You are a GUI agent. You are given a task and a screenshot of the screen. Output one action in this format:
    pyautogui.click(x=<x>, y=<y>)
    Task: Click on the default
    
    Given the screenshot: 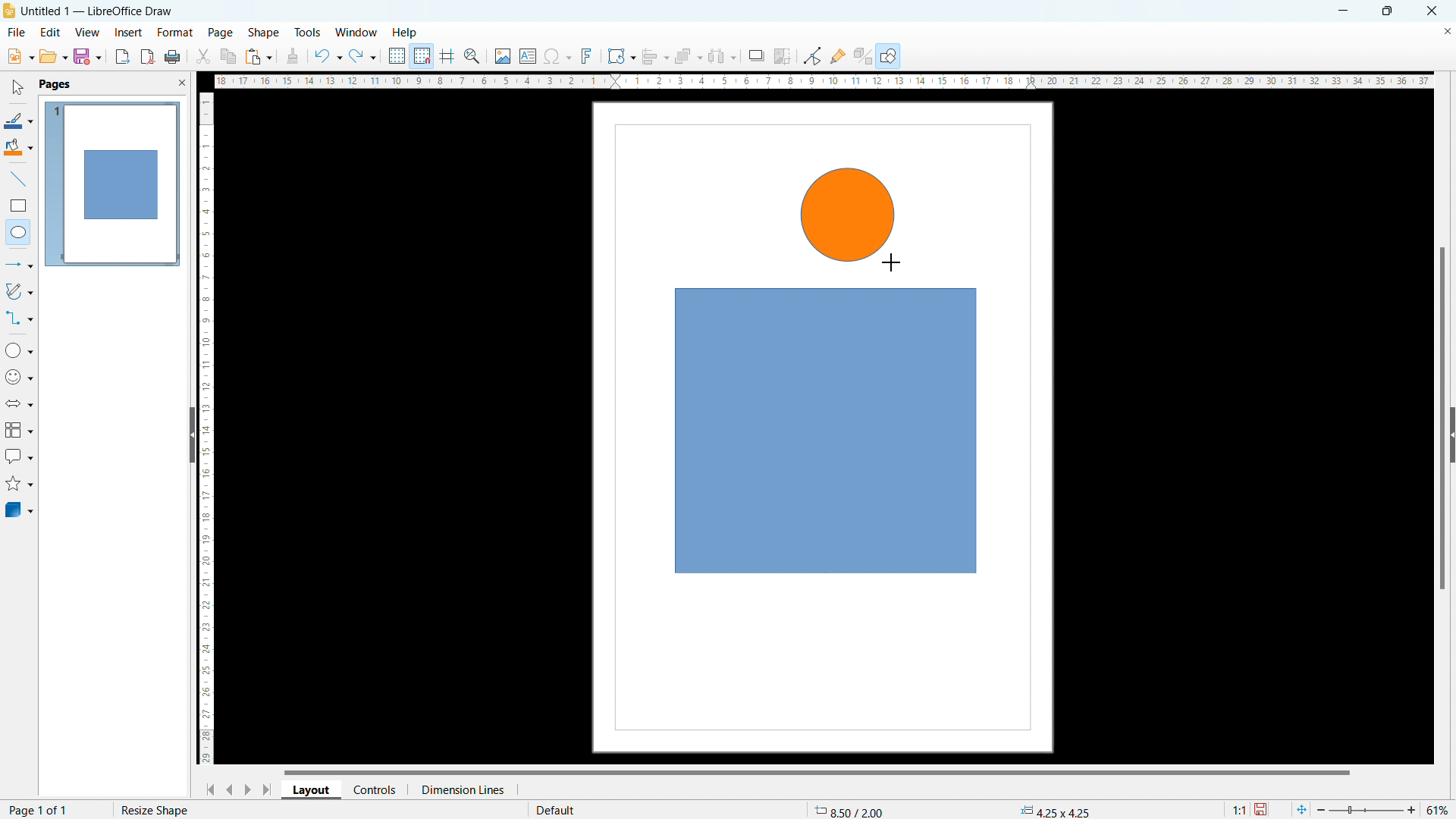 What is the action you would take?
    pyautogui.click(x=554, y=809)
    